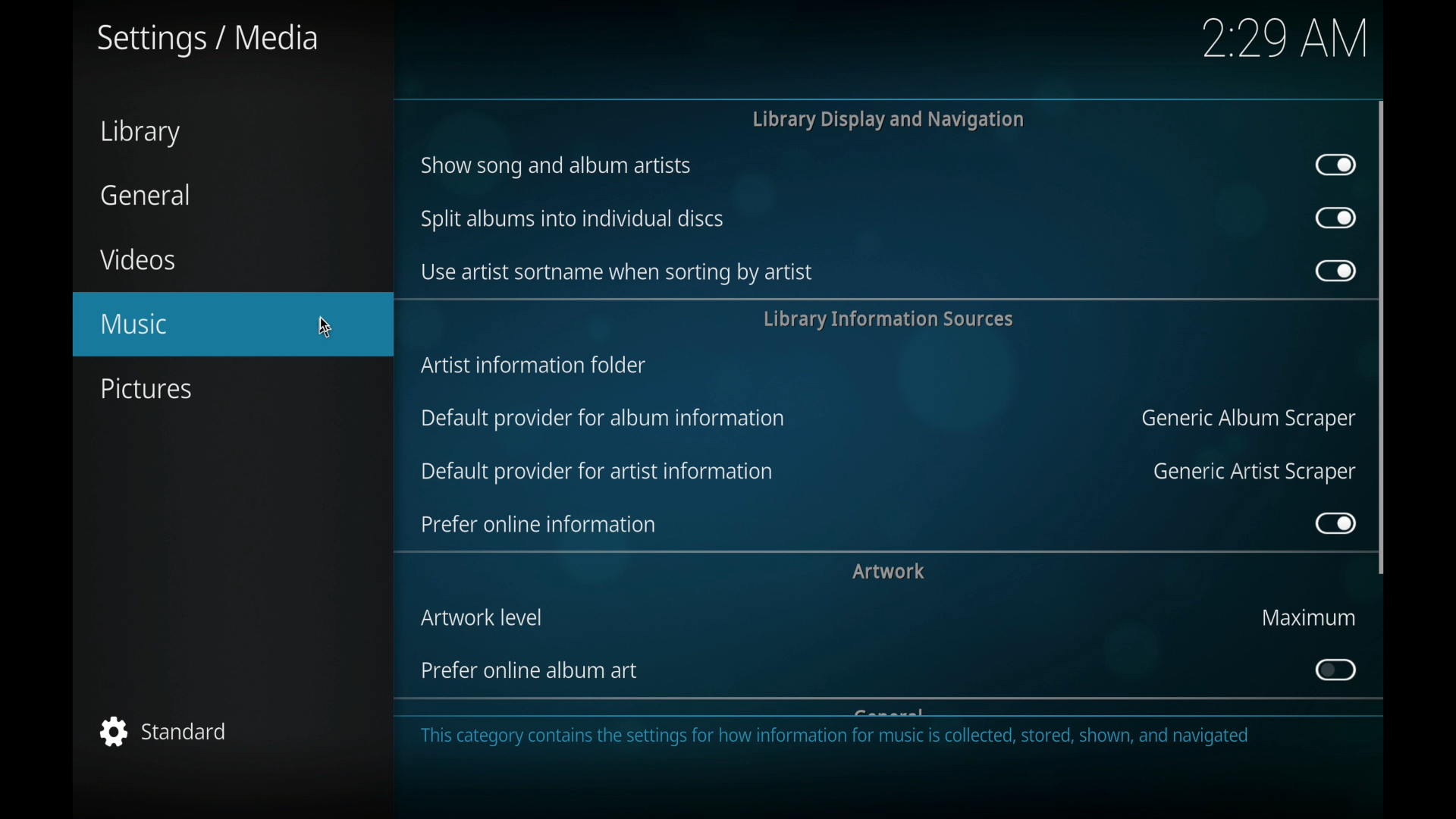 This screenshot has height=819, width=1456. Describe the element at coordinates (1334, 670) in the screenshot. I see `toggle b button` at that location.